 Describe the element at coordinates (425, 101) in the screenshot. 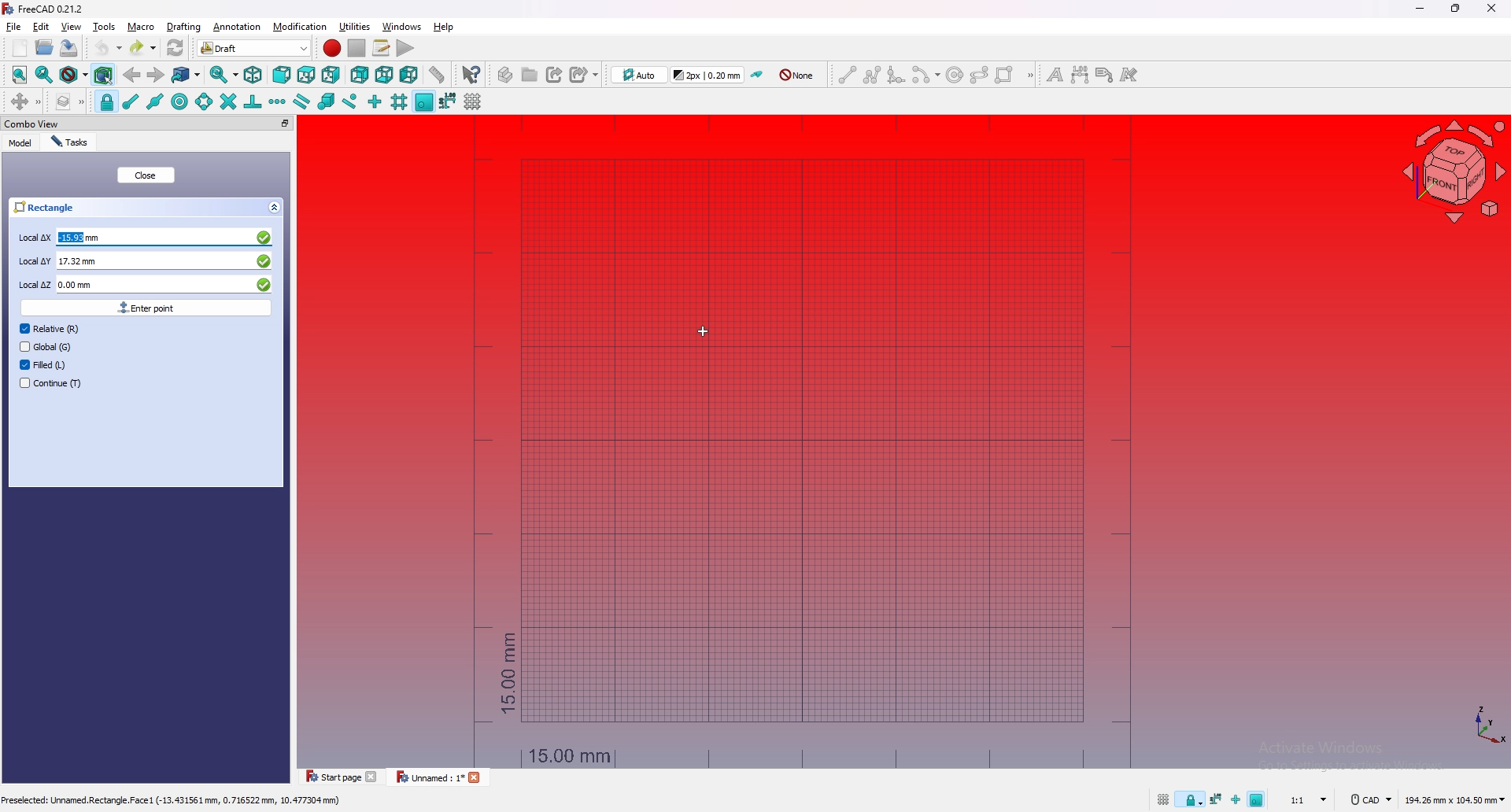

I see `snap working plane` at that location.